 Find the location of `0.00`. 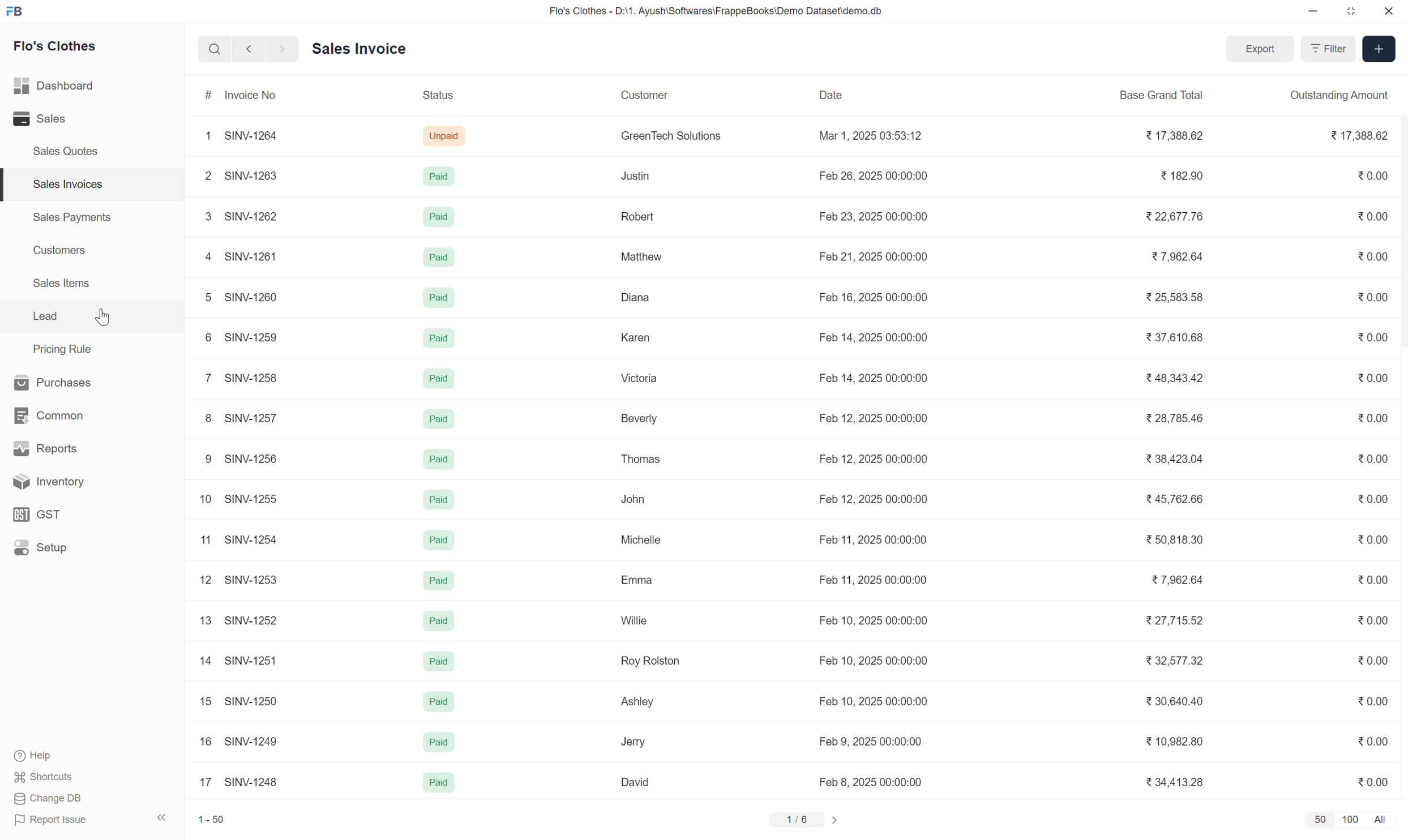

0.00 is located at coordinates (1371, 699).